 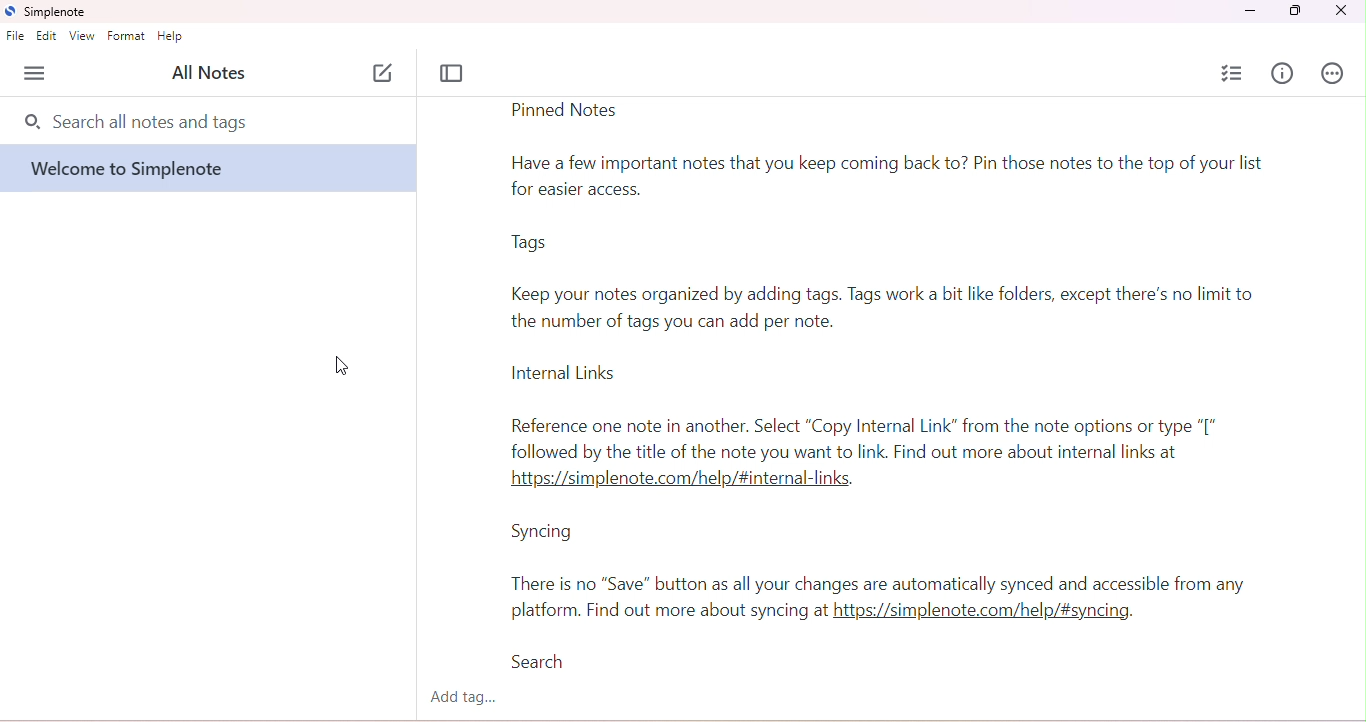 What do you see at coordinates (528, 245) in the screenshot?
I see `tags` at bounding box center [528, 245].